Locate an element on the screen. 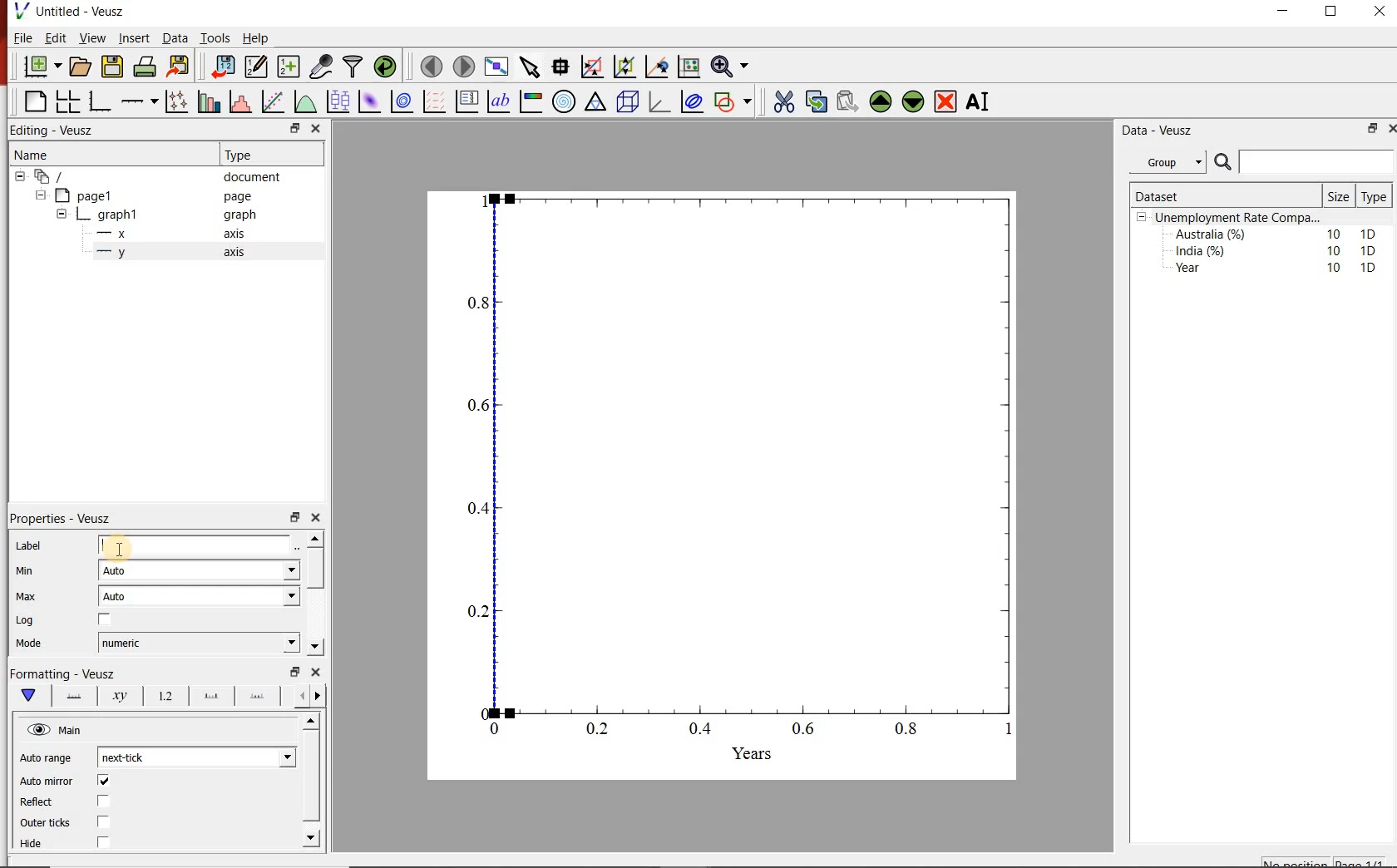 Image resolution: width=1397 pixels, height=868 pixels. minimise is located at coordinates (297, 128).